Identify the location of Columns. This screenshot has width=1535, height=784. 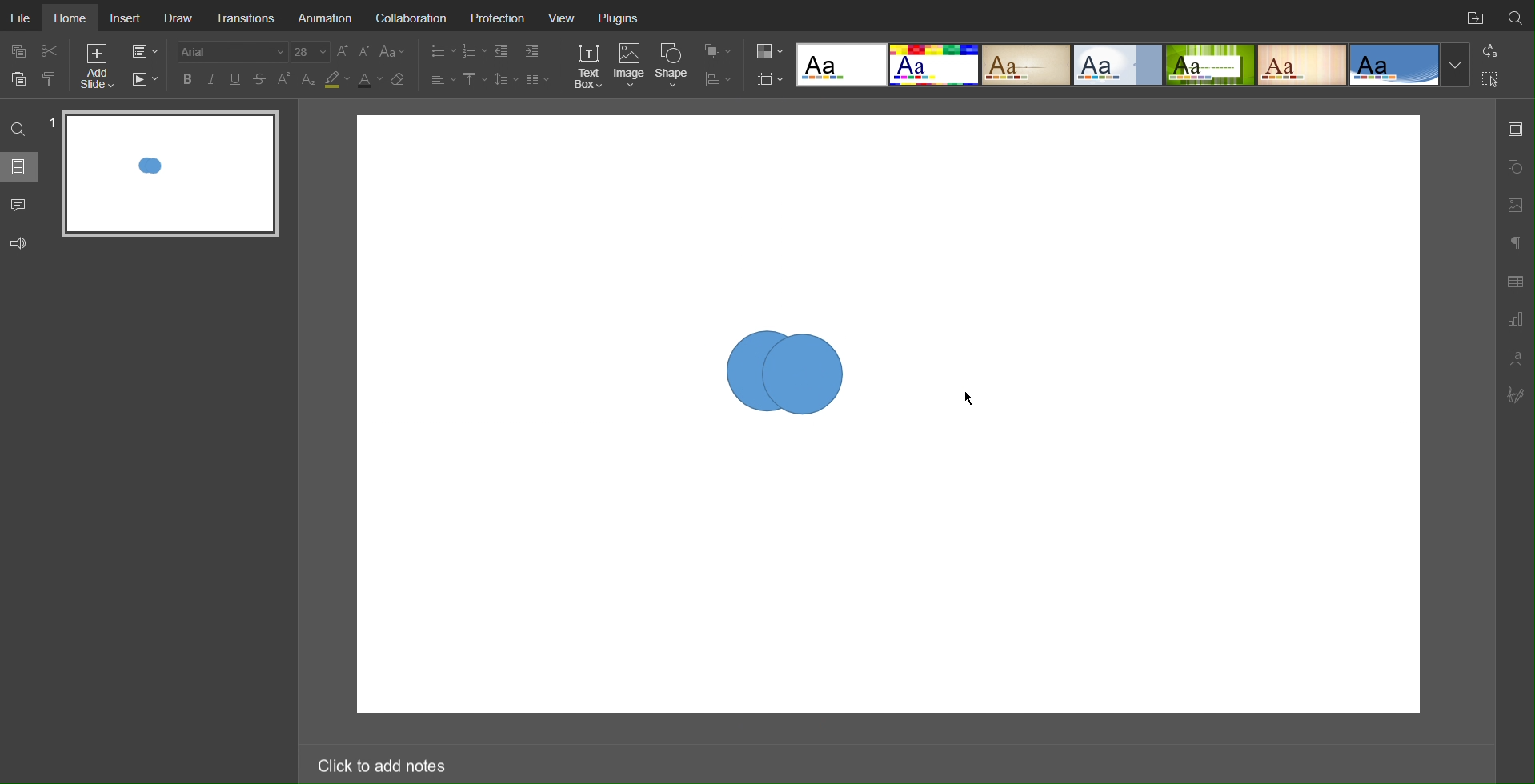
(539, 78).